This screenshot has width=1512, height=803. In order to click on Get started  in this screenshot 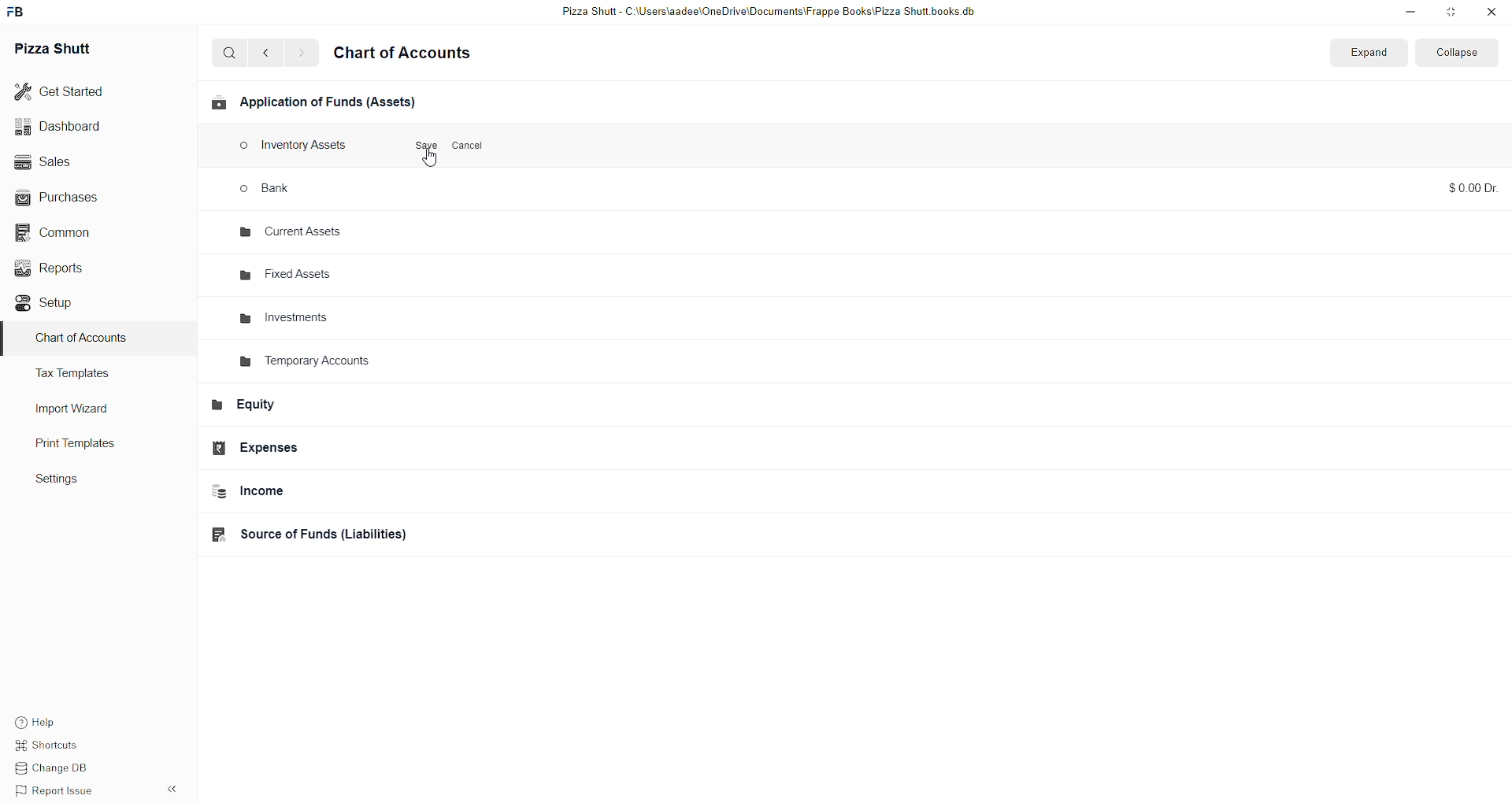, I will do `click(69, 91)`.